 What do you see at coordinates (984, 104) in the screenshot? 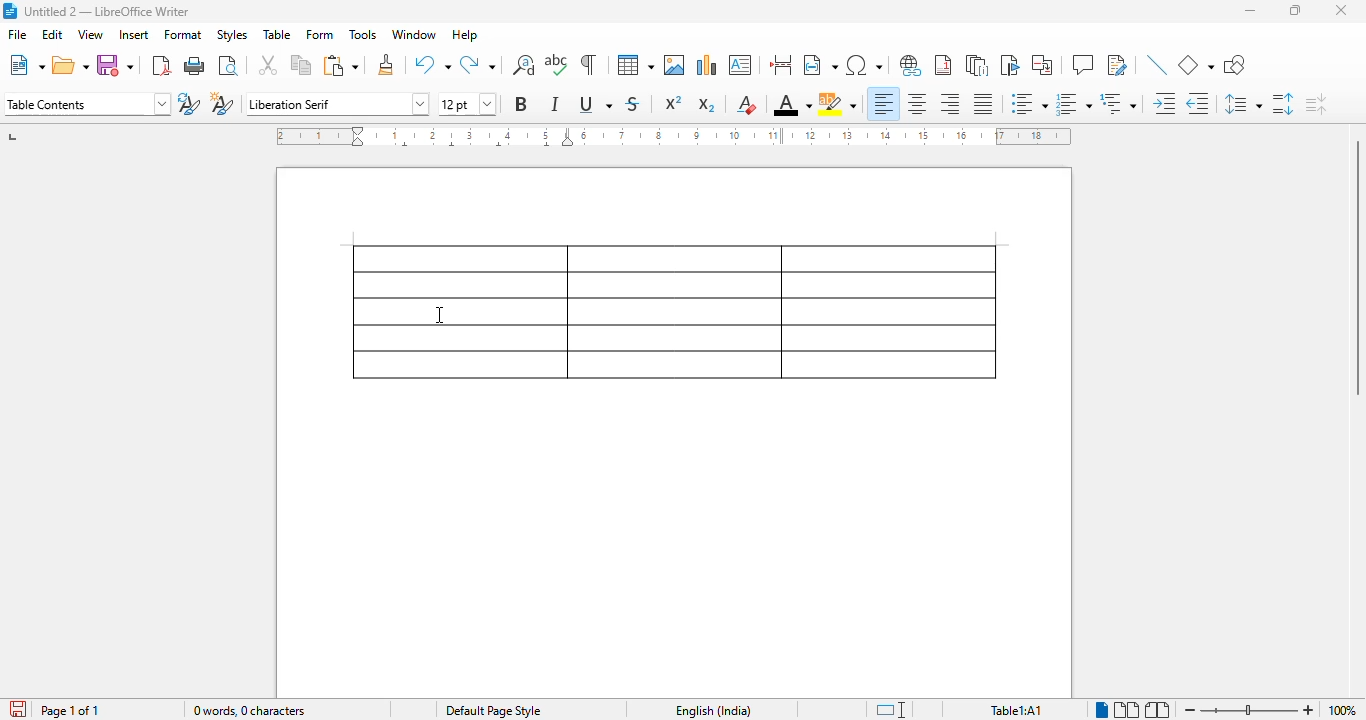
I see `justified` at bounding box center [984, 104].